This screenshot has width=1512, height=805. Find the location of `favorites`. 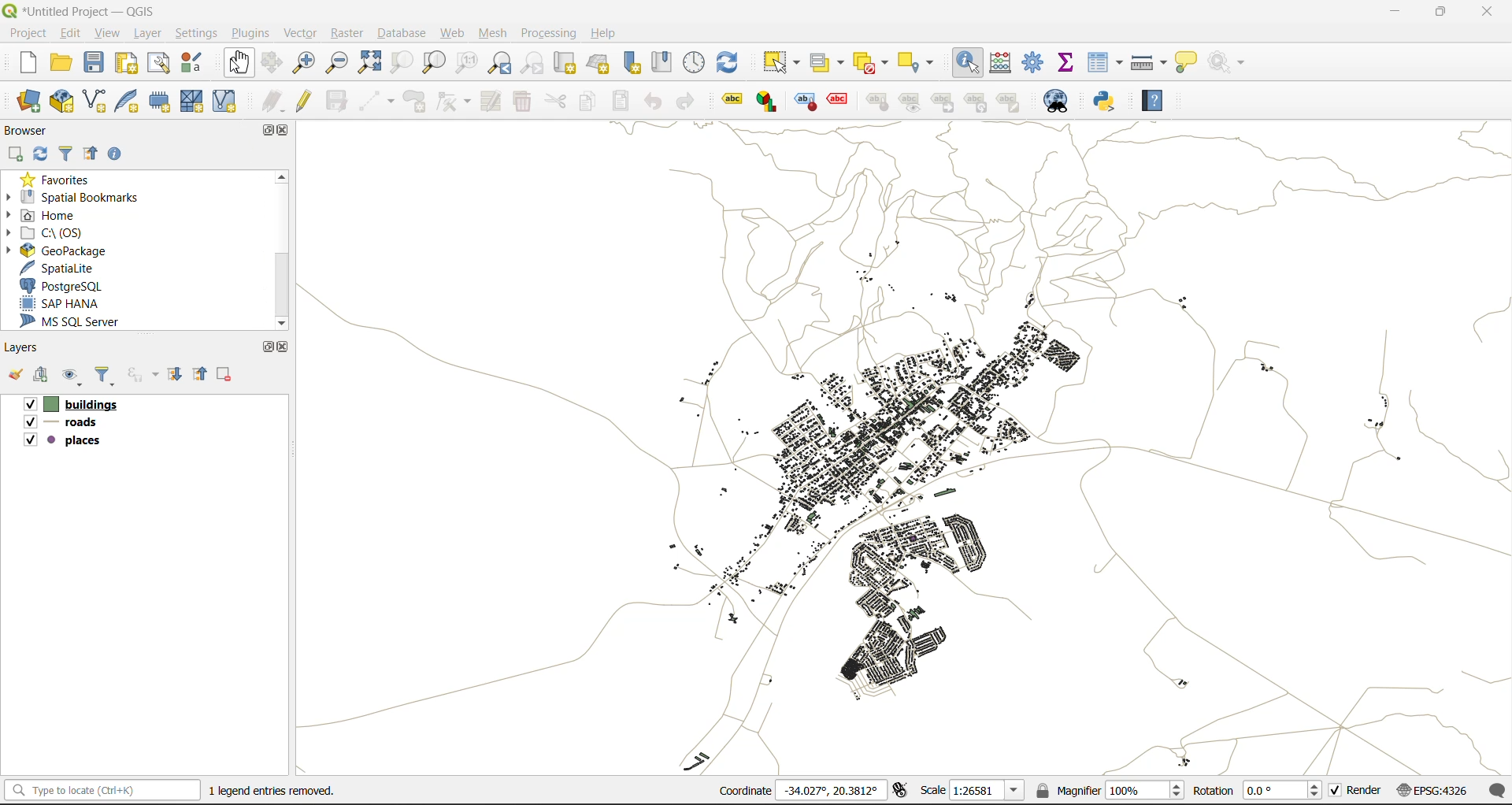

favorites is located at coordinates (60, 178).